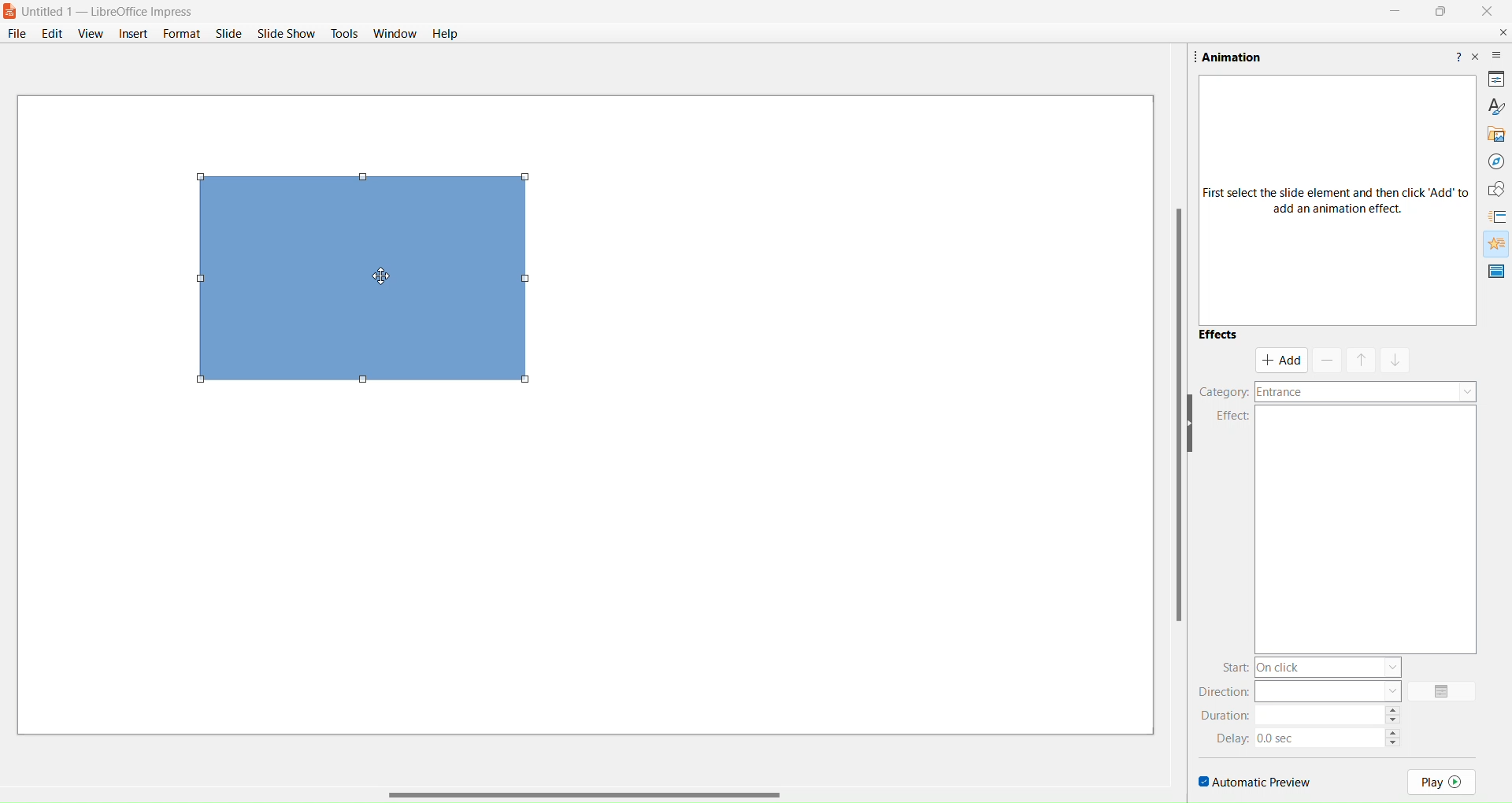 The image size is (1512, 803). Describe the element at coordinates (1392, 13) in the screenshot. I see `Minimize` at that location.